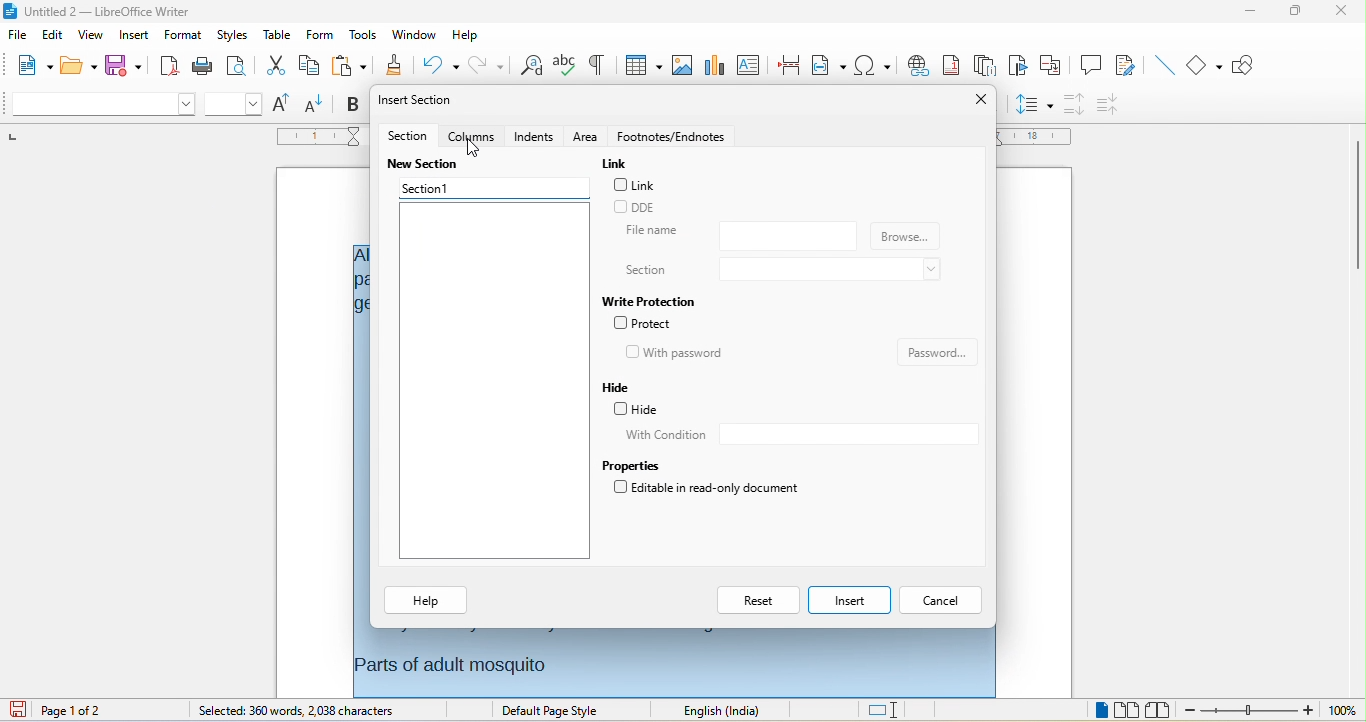 The image size is (1366, 722). I want to click on text language, so click(729, 711).